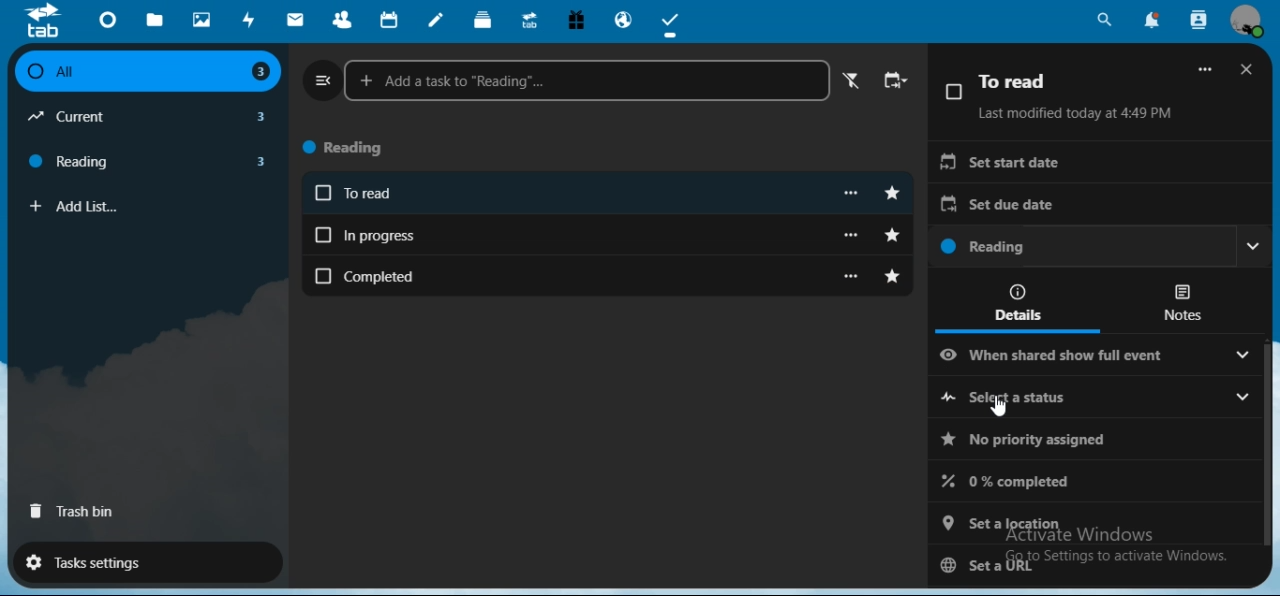 The image size is (1280, 596). I want to click on set a location, so click(1094, 520).